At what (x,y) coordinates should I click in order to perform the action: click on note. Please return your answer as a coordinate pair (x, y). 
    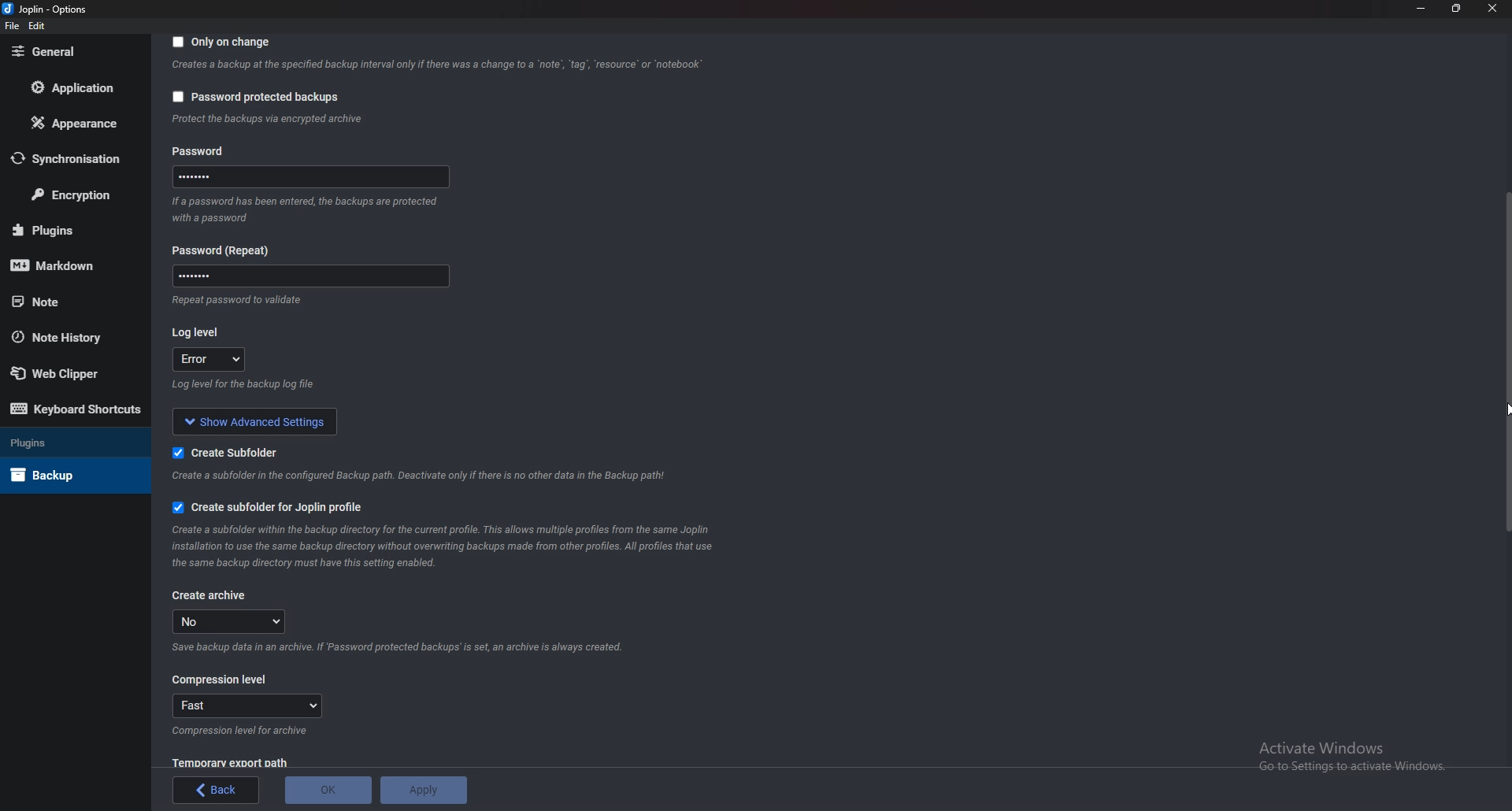
    Looking at the image, I should click on (69, 302).